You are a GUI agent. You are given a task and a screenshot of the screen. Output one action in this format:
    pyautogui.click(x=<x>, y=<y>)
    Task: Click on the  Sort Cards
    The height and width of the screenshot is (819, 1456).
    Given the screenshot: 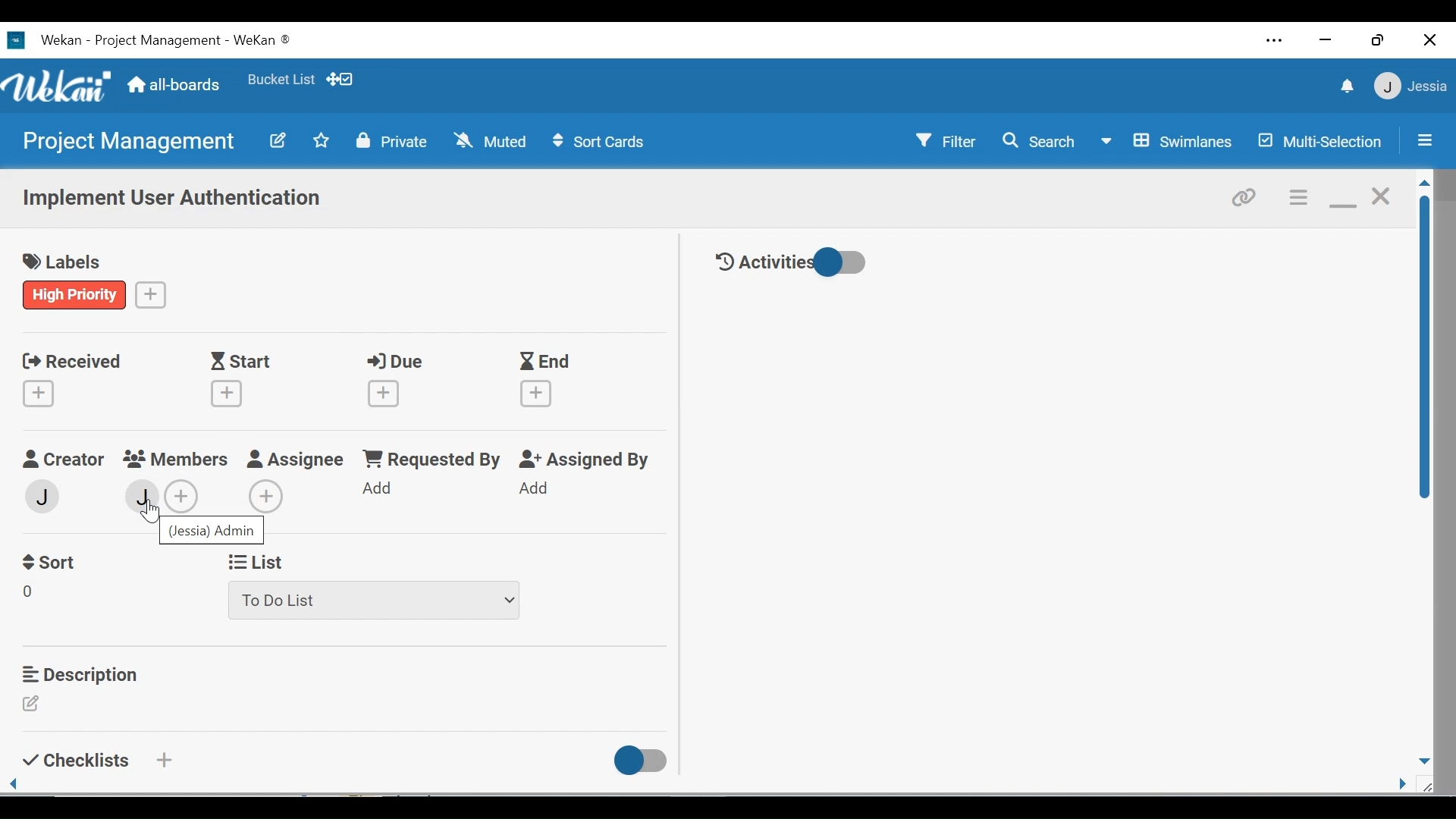 What is the action you would take?
    pyautogui.click(x=601, y=143)
    